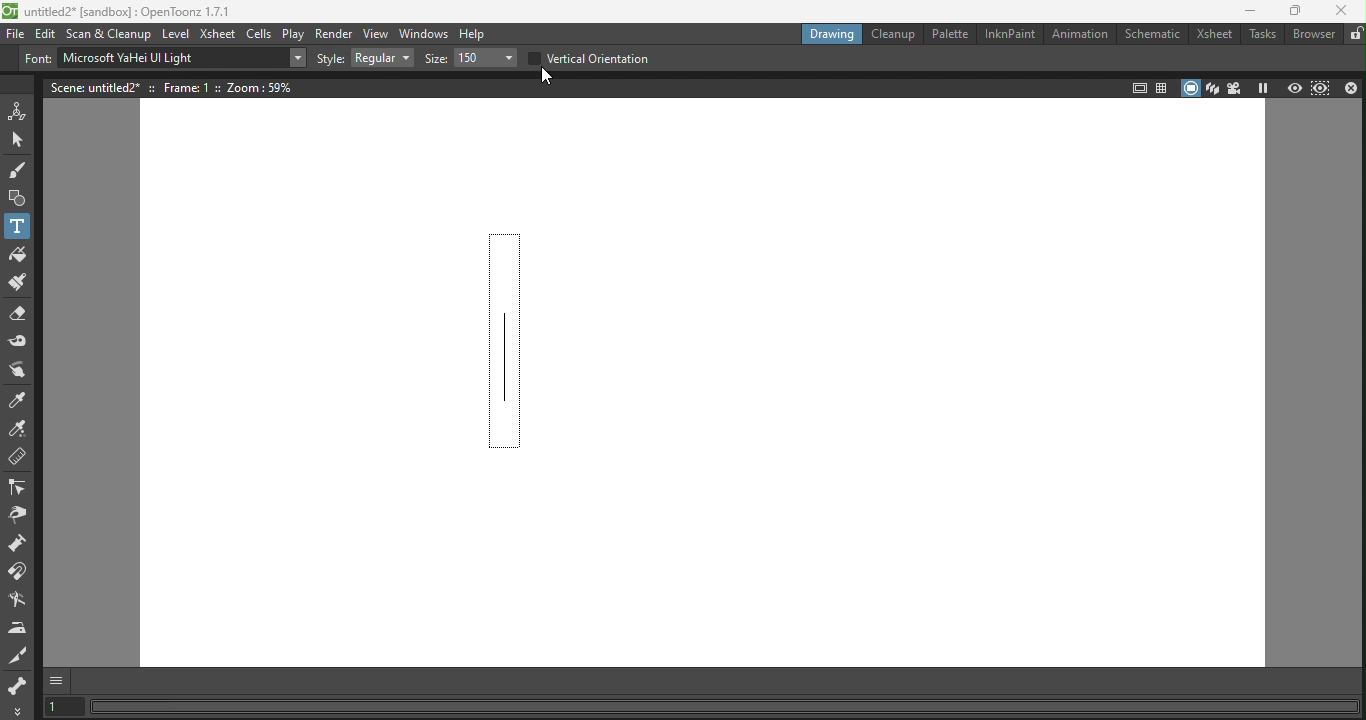  What do you see at coordinates (1320, 88) in the screenshot?
I see `Preview` at bounding box center [1320, 88].